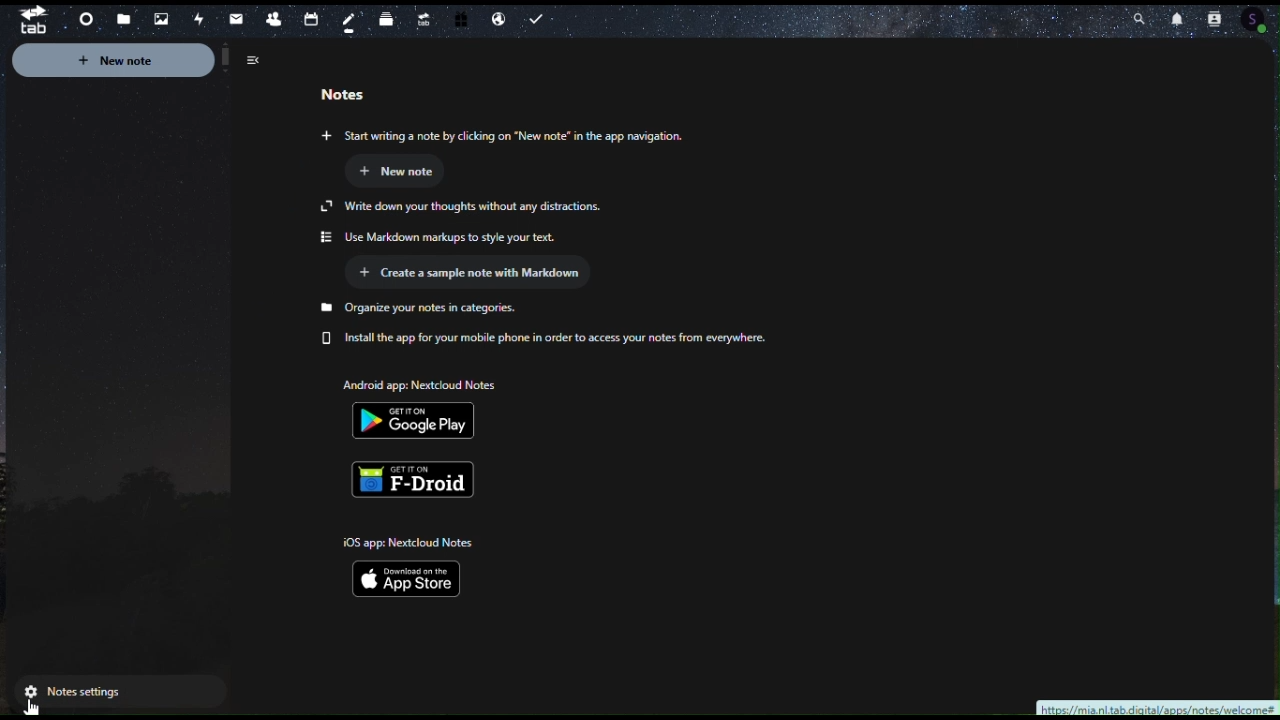 Image resolution: width=1280 pixels, height=720 pixels. What do you see at coordinates (449, 222) in the screenshot?
I see `Text` at bounding box center [449, 222].